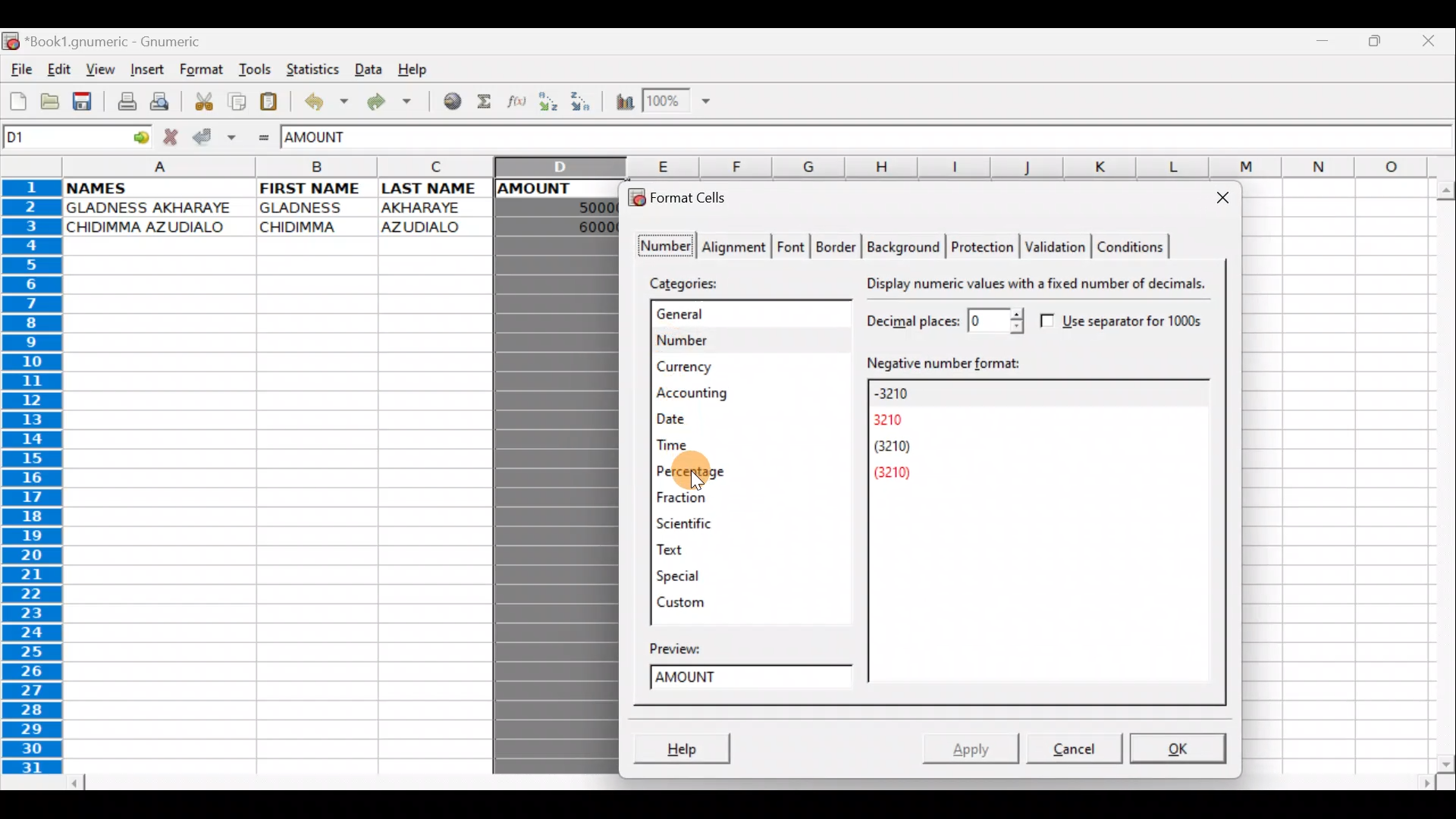 Image resolution: width=1456 pixels, height=819 pixels. What do you see at coordinates (322, 100) in the screenshot?
I see `Undo last action` at bounding box center [322, 100].